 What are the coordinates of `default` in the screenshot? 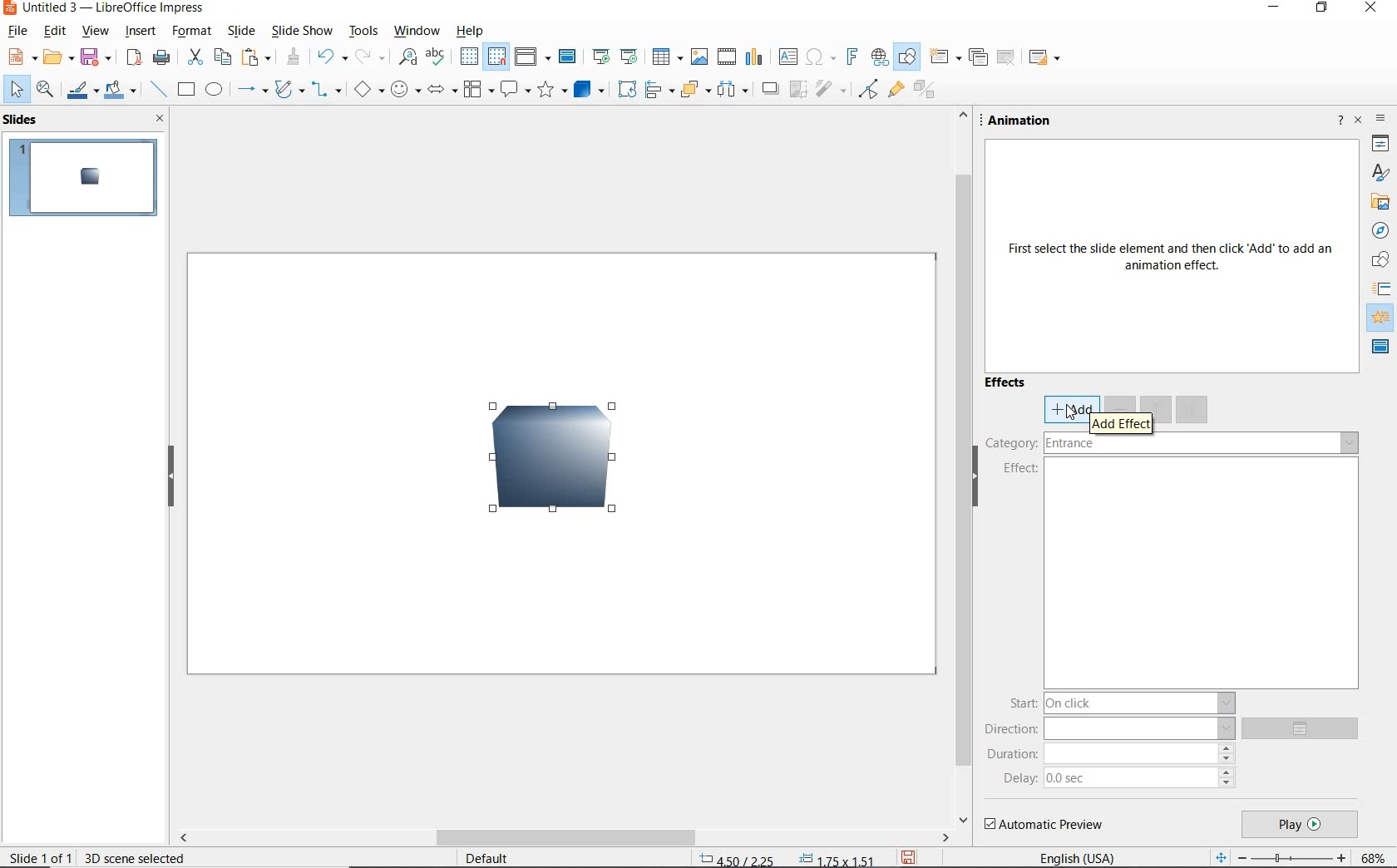 It's located at (485, 856).